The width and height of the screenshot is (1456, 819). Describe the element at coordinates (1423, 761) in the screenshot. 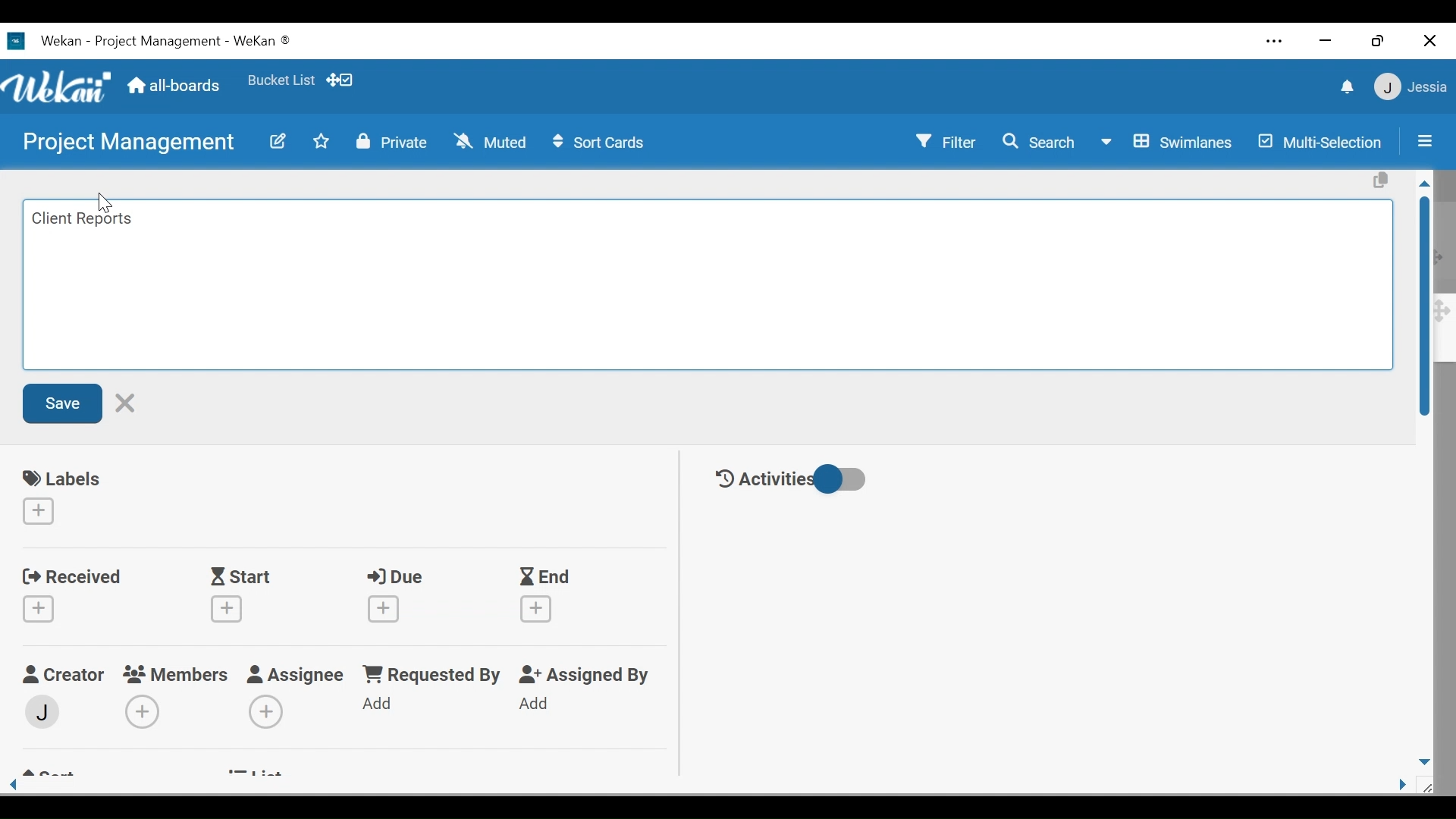

I see `Scroll down` at that location.